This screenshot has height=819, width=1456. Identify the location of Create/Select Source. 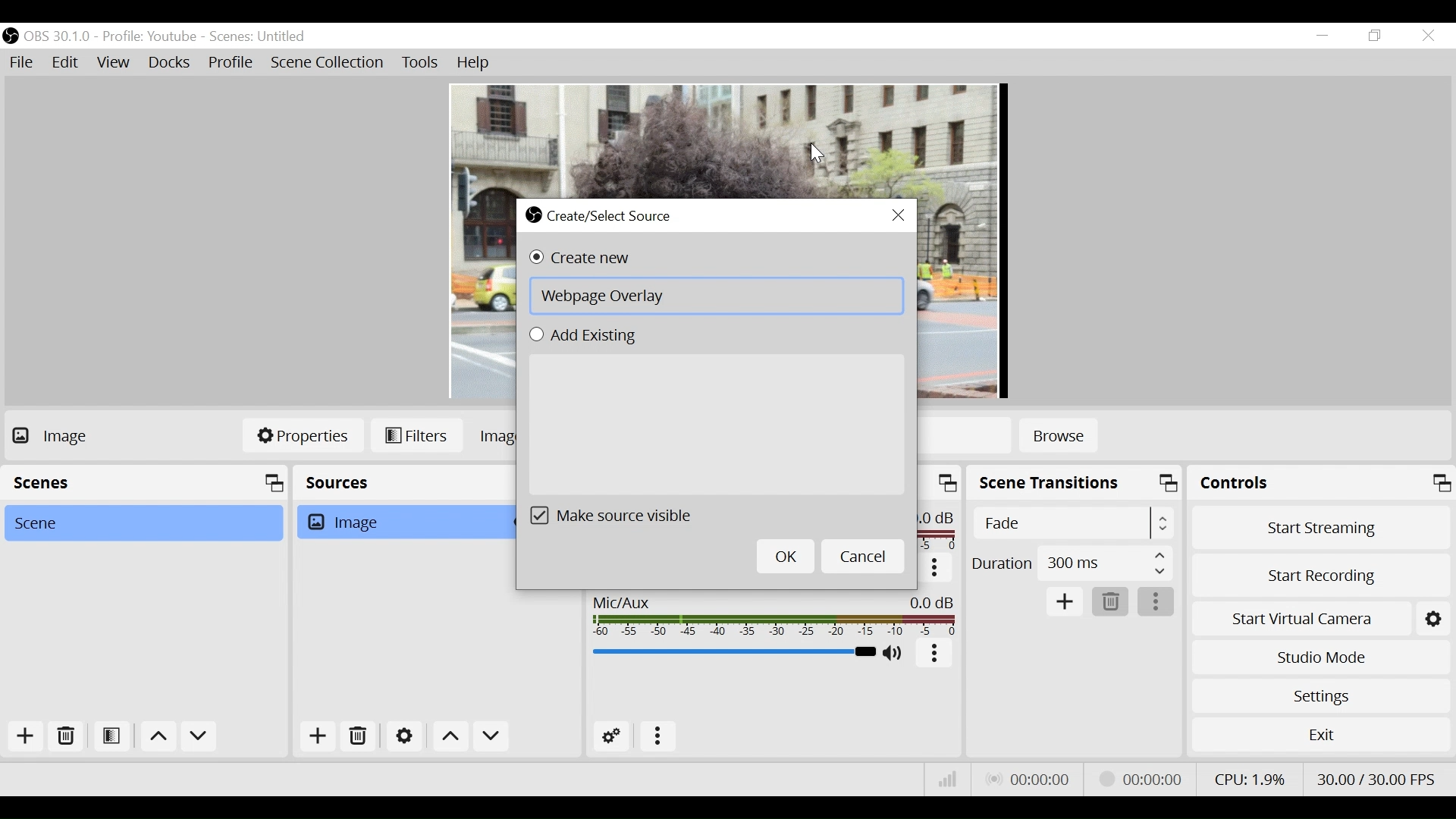
(604, 215).